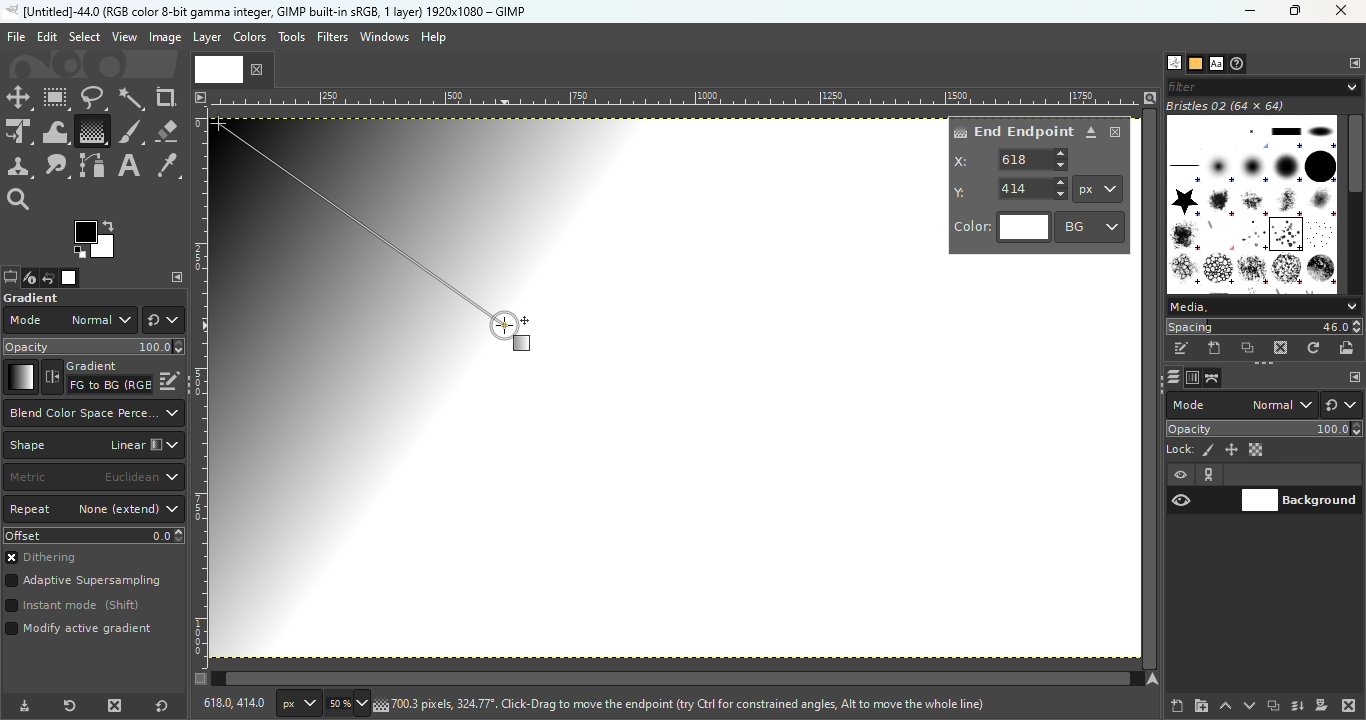  What do you see at coordinates (688, 703) in the screenshot?
I see `700.3 pixels 324.77 click drag to move the endpoint (try ctrl for constrained angles, alt to move the whole line)` at bounding box center [688, 703].